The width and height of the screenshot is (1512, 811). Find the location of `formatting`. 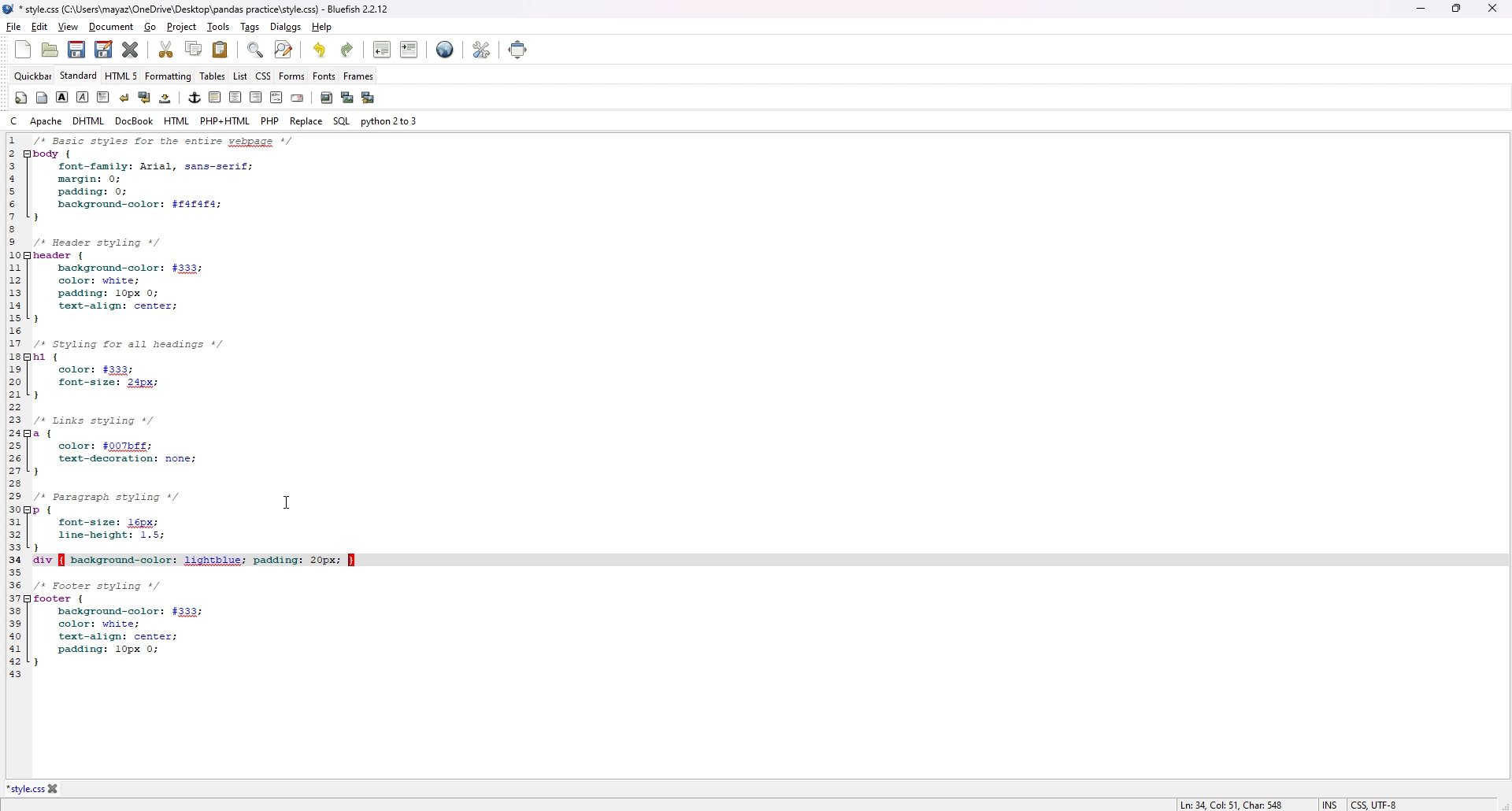

formatting is located at coordinates (169, 76).